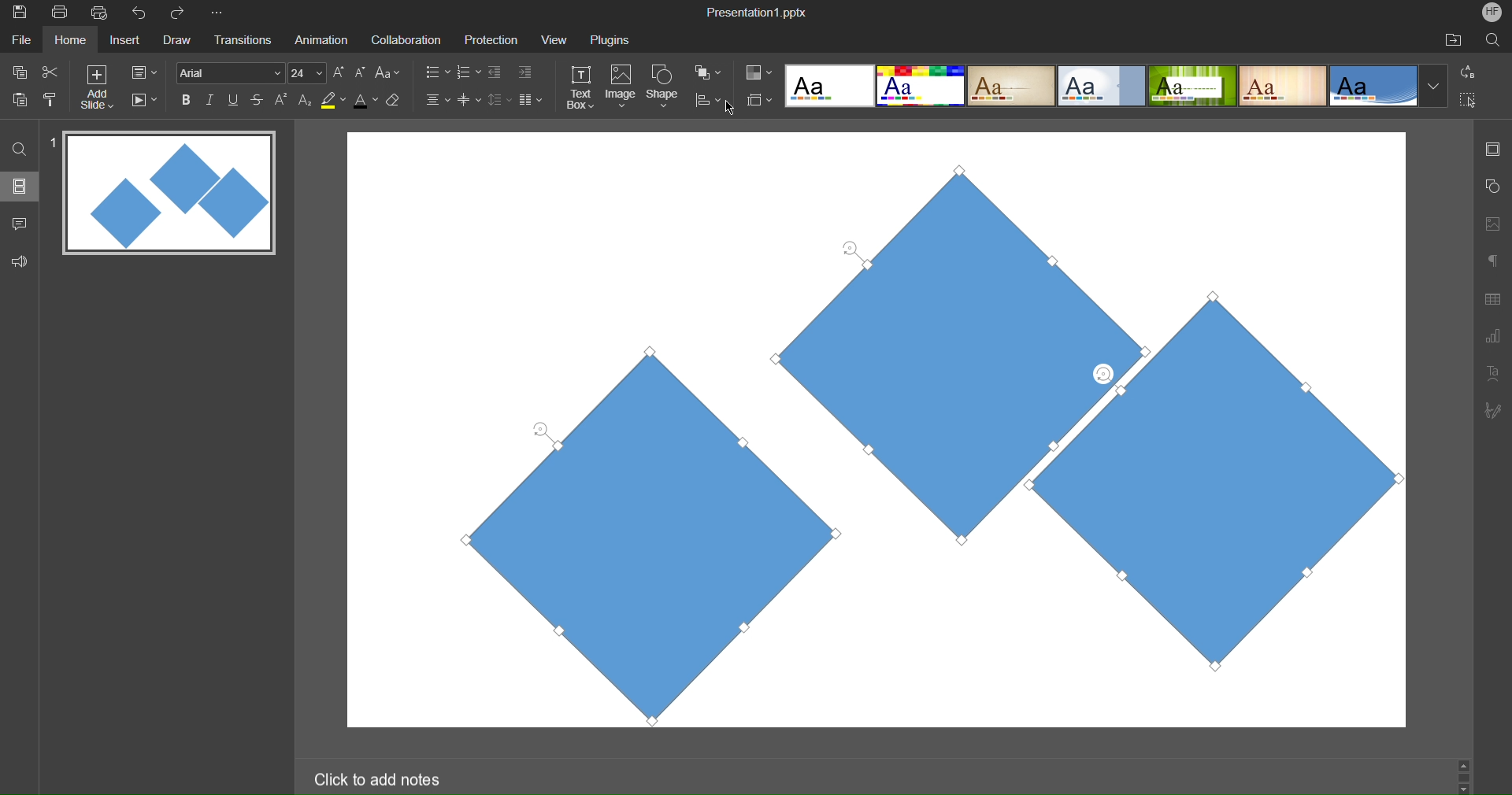 This screenshot has width=1512, height=795. I want to click on Bullet List, so click(436, 73).